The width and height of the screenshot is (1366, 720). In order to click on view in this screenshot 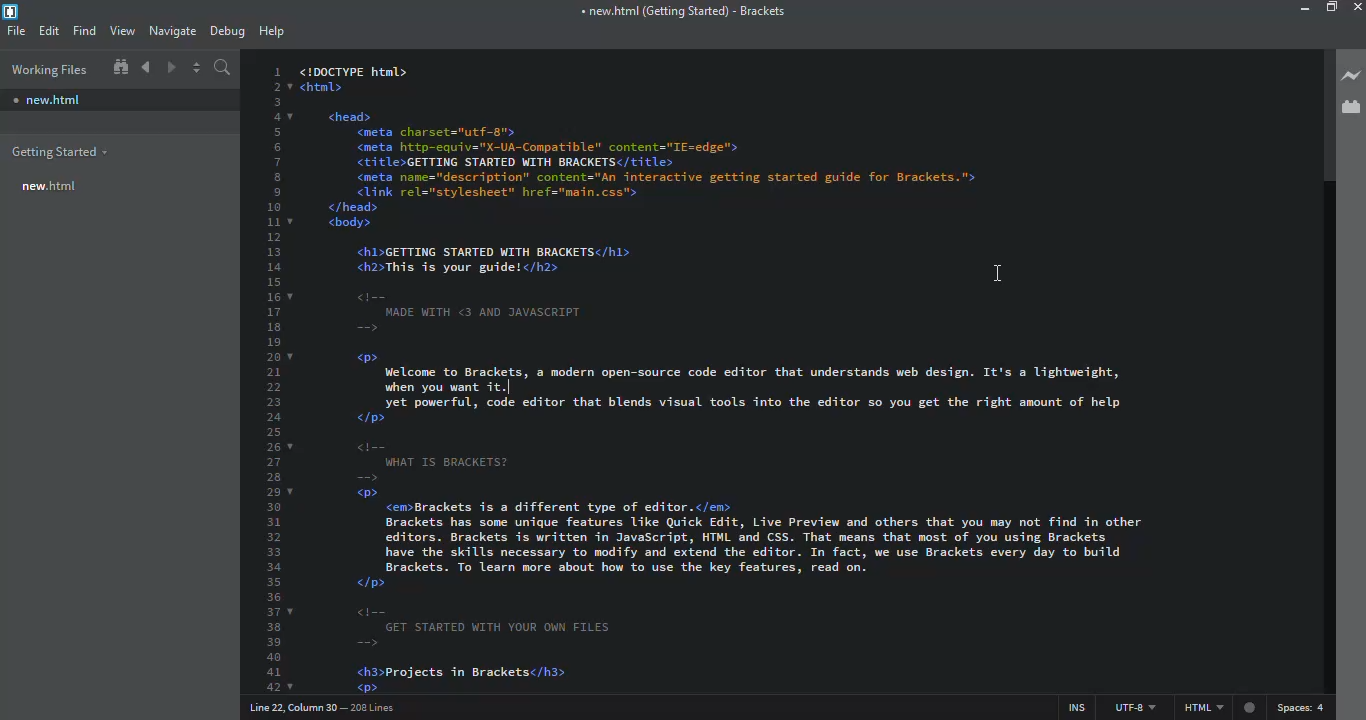, I will do `click(123, 29)`.